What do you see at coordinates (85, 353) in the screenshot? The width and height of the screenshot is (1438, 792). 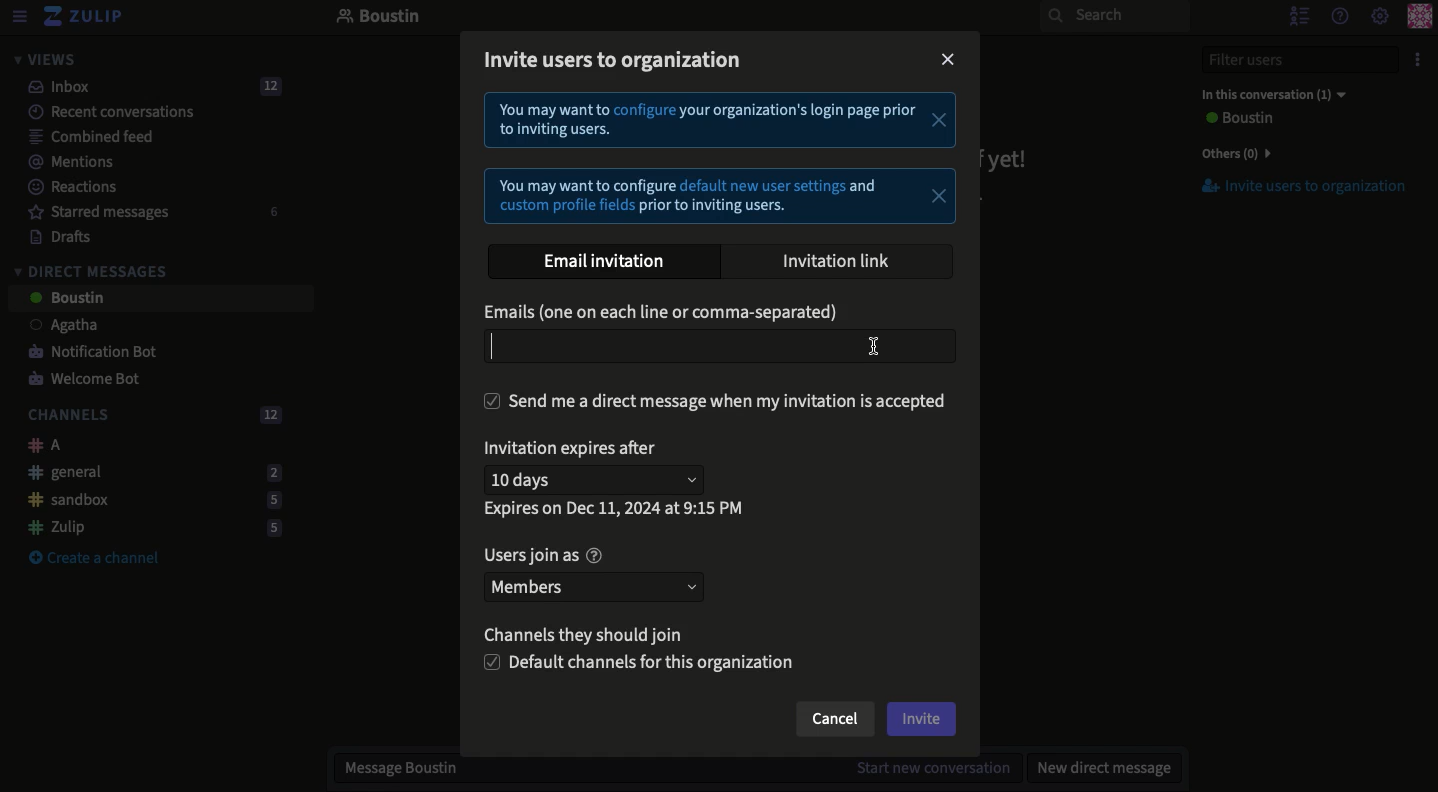 I see `Notification bot` at bounding box center [85, 353].